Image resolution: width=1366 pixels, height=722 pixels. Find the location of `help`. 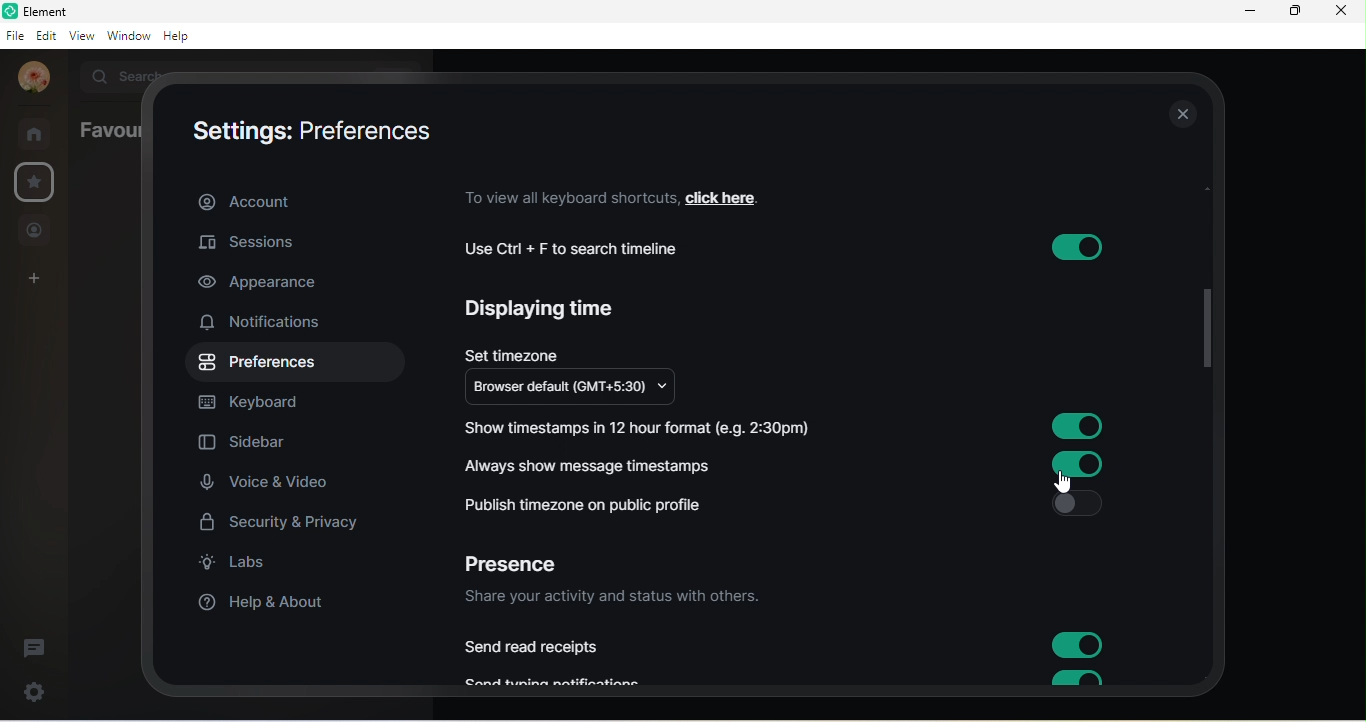

help is located at coordinates (183, 38).